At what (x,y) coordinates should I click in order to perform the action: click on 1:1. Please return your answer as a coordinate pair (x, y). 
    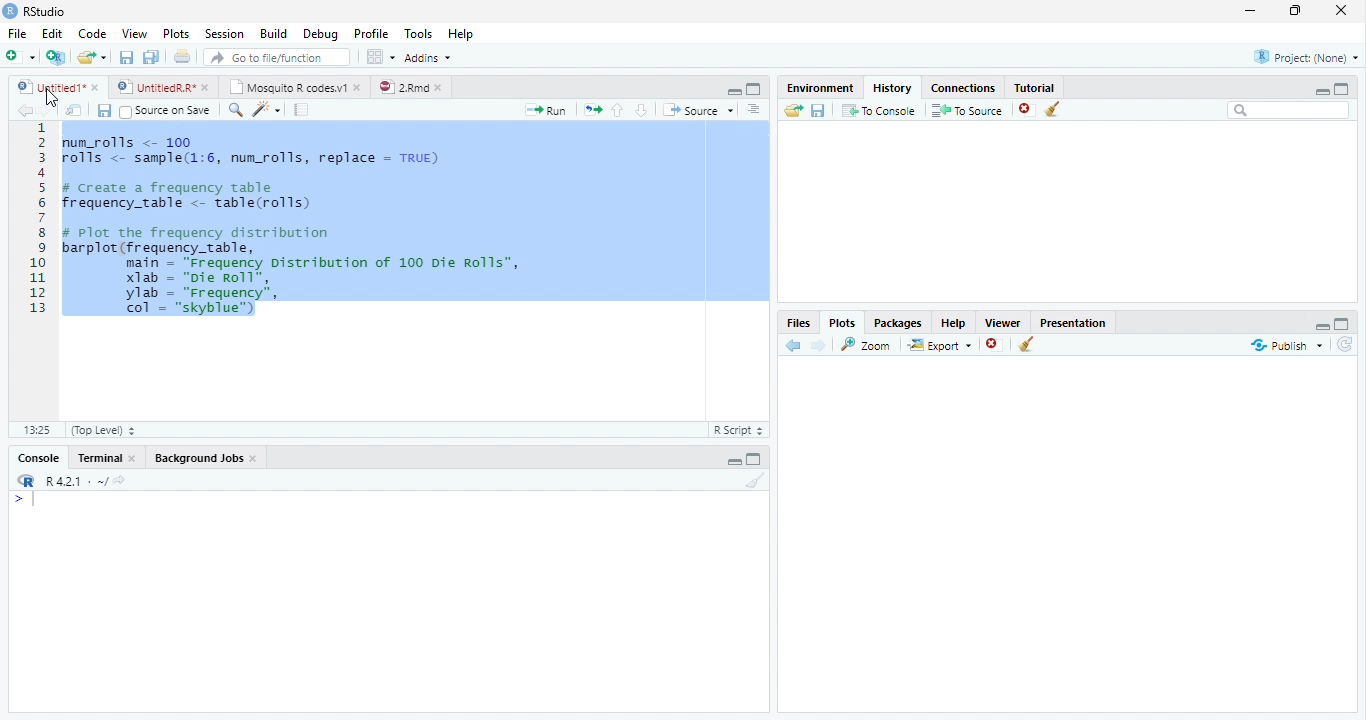
    Looking at the image, I should click on (35, 430).